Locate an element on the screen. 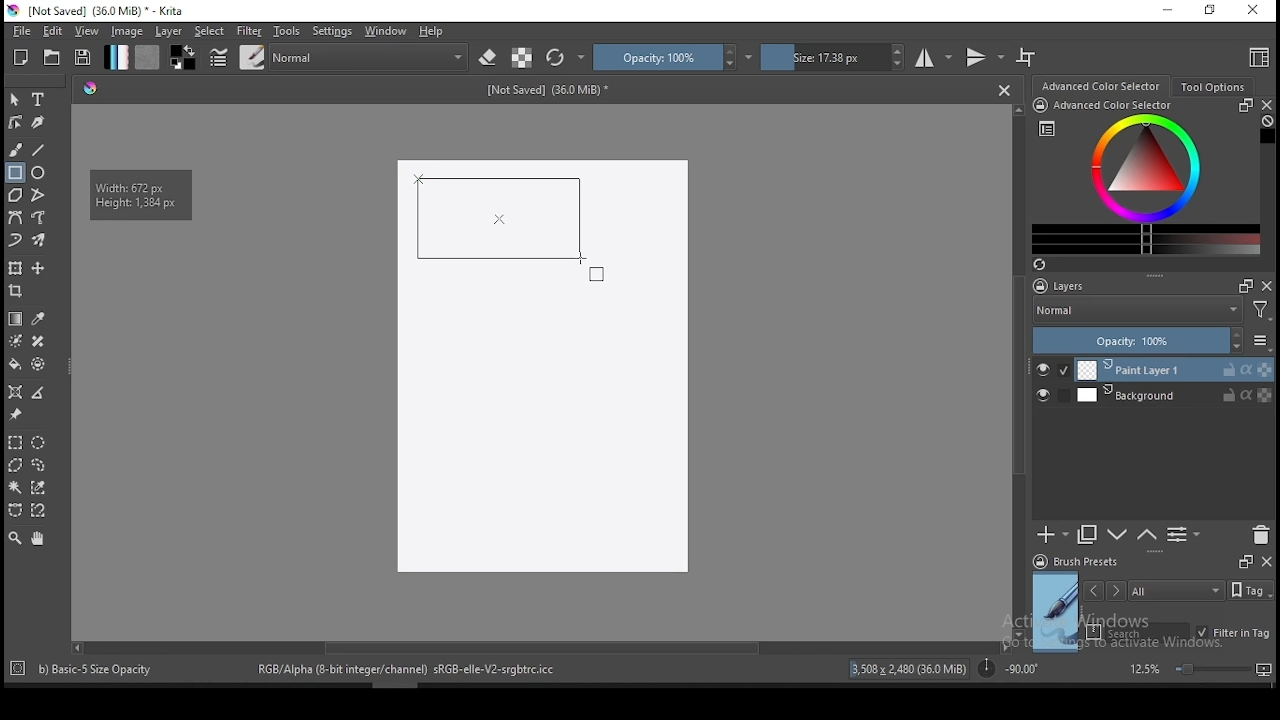  paint bucket tool is located at coordinates (15, 364).